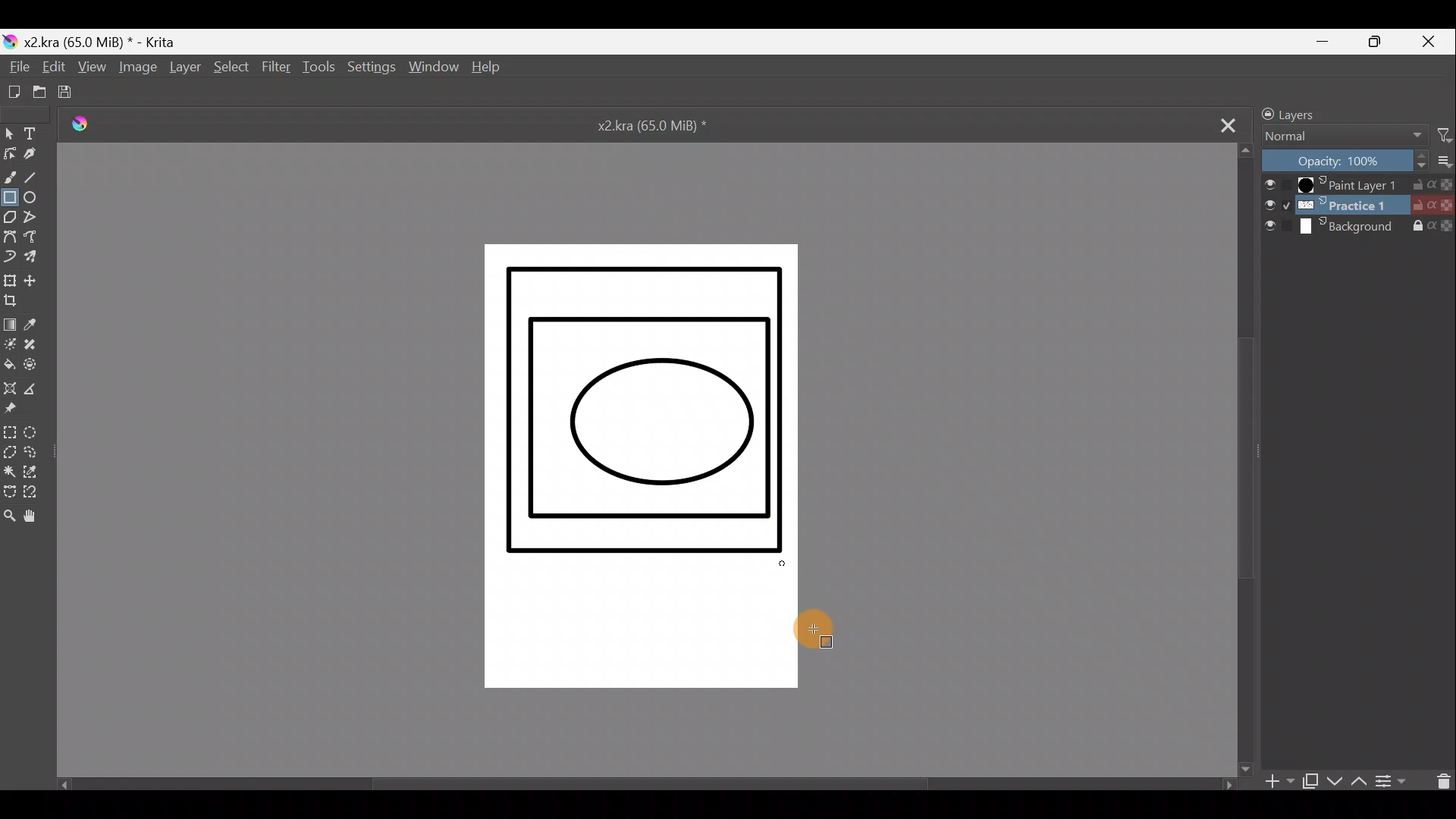  What do you see at coordinates (1360, 227) in the screenshot?
I see `Background` at bounding box center [1360, 227].